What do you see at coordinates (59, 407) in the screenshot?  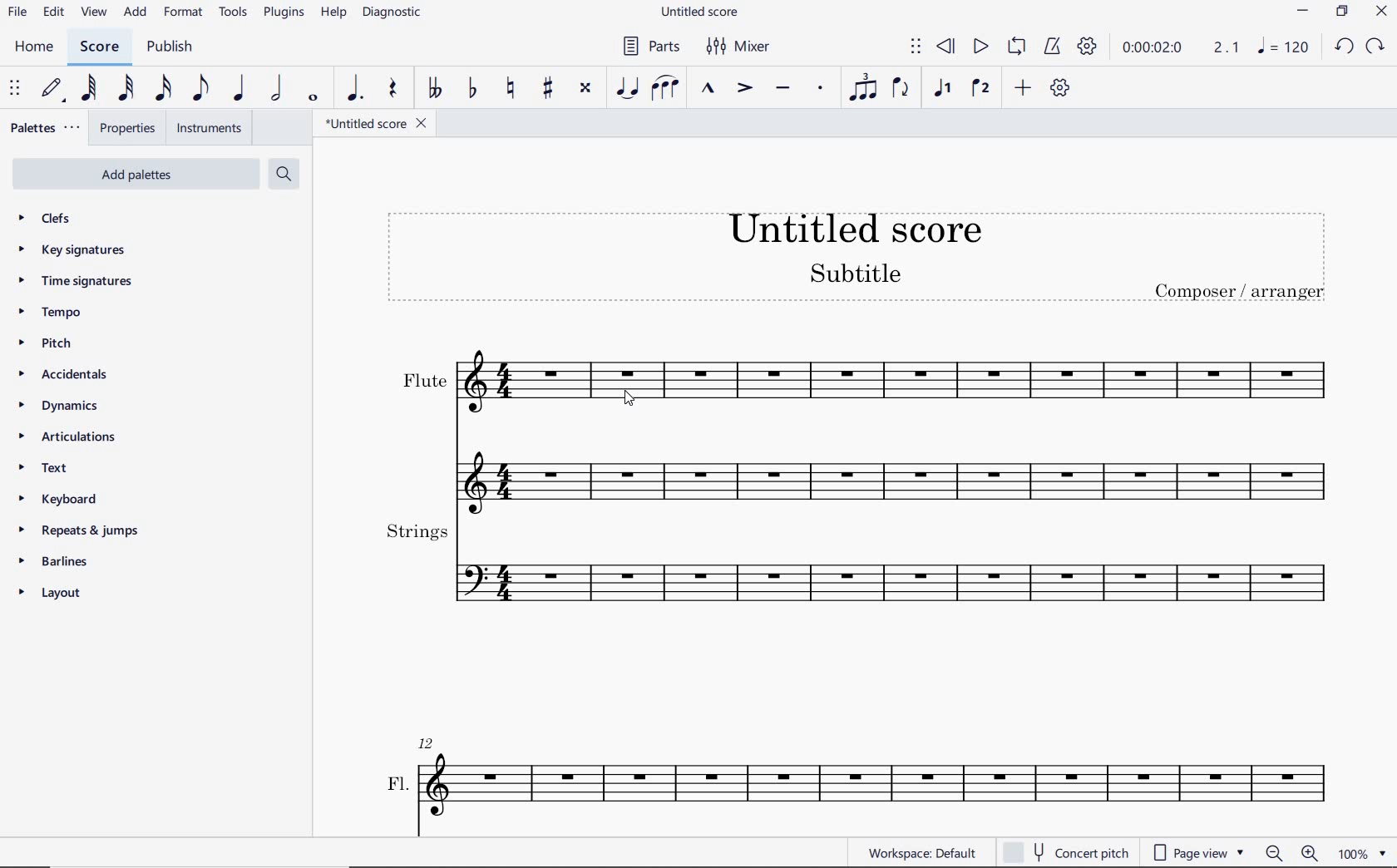 I see `dynamics` at bounding box center [59, 407].